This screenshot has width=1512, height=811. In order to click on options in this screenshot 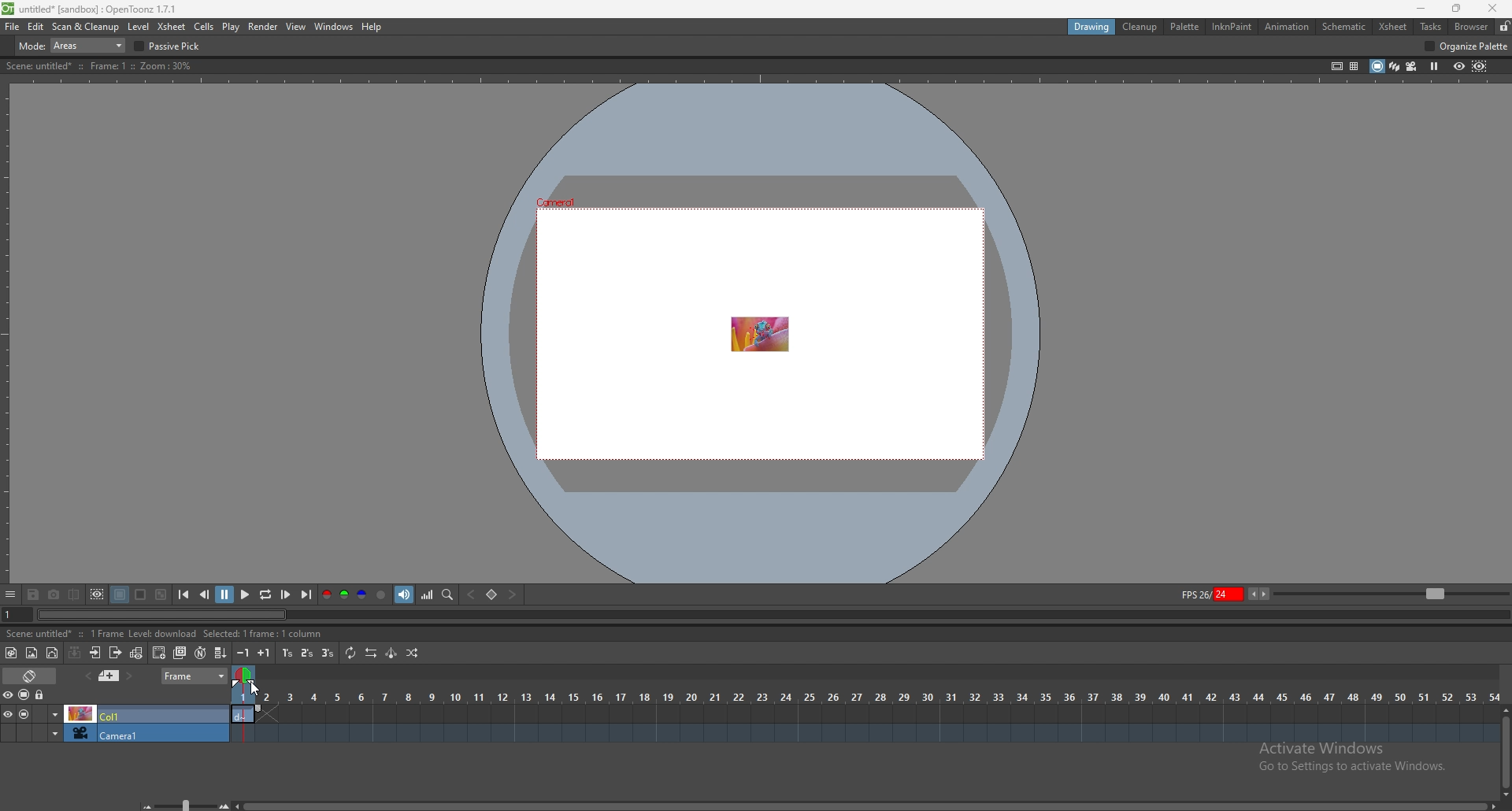, I will do `click(11, 595)`.